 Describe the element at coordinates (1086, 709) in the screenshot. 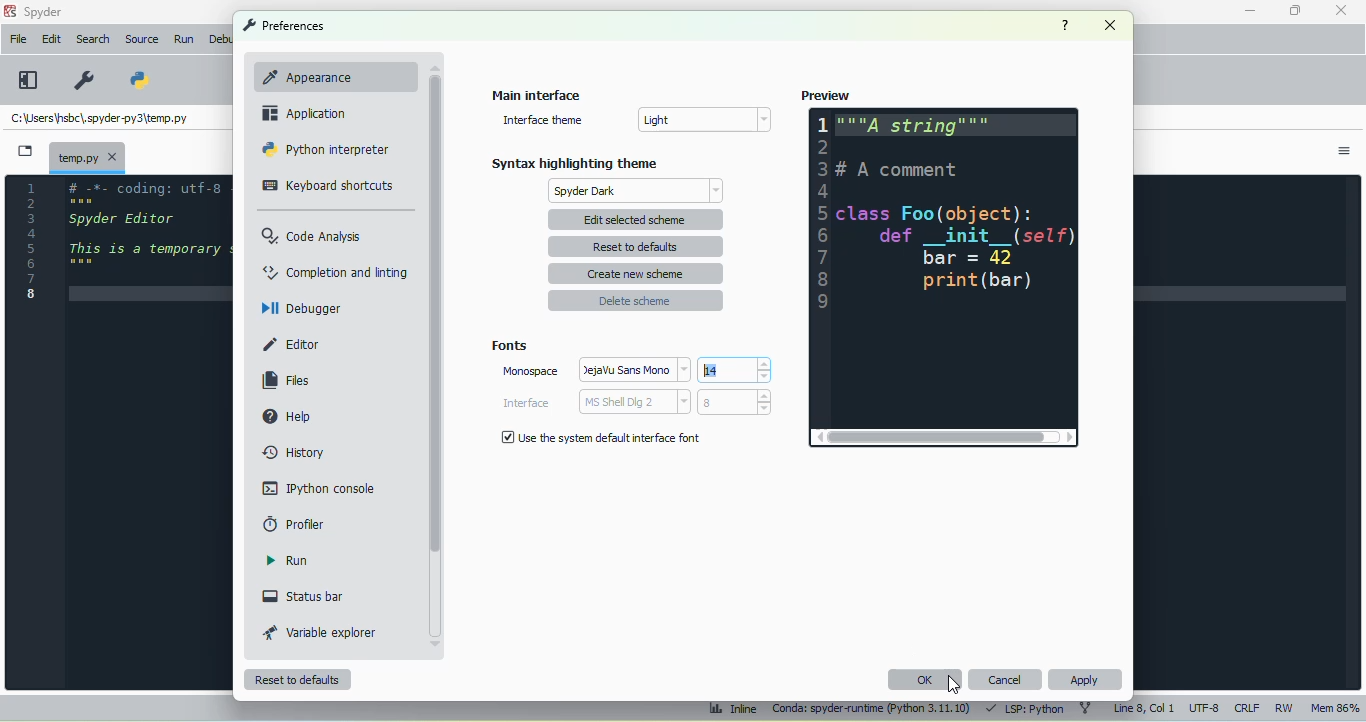

I see `git branch` at that location.